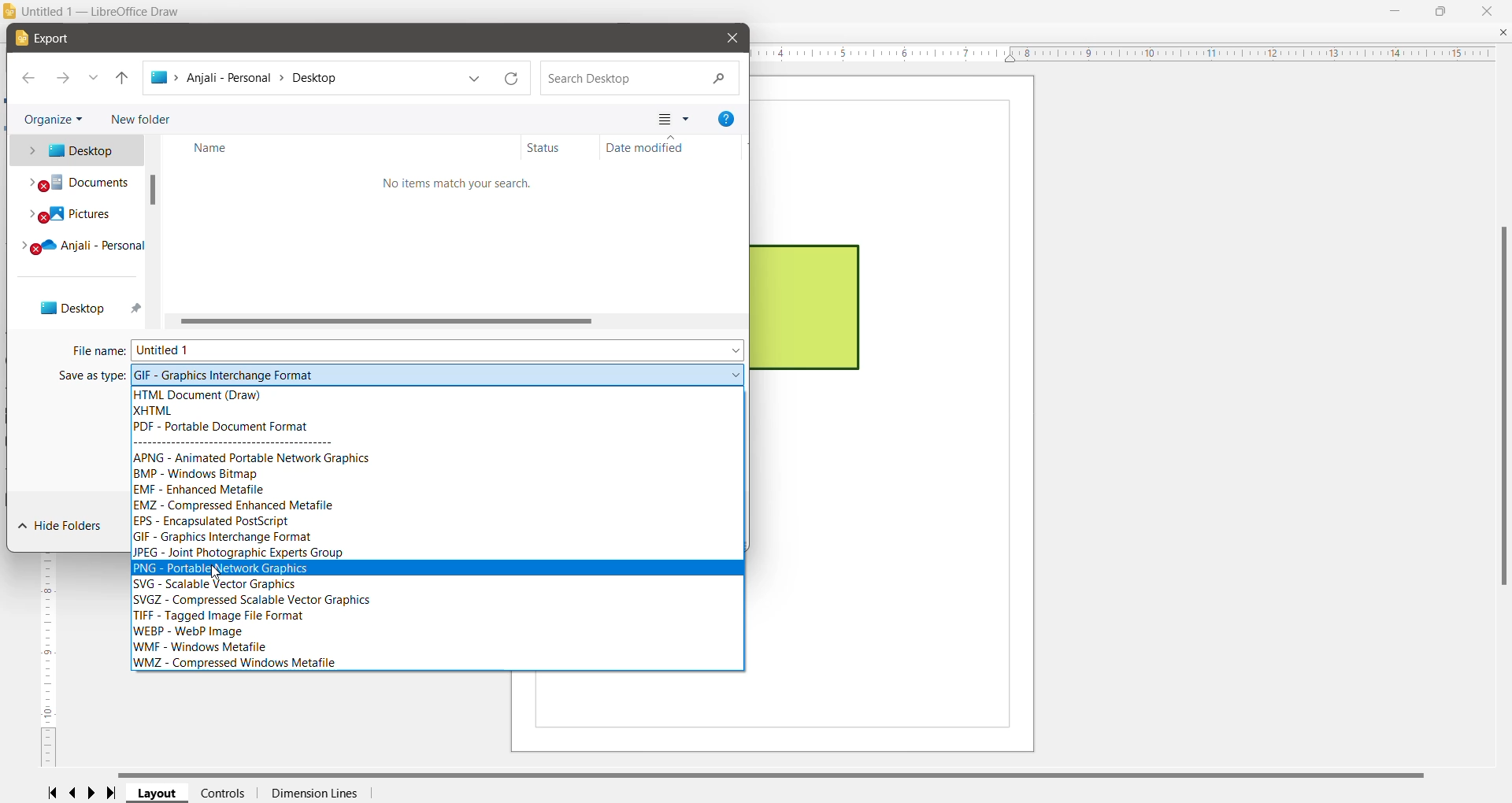  What do you see at coordinates (301, 81) in the screenshot?
I see `Current Location` at bounding box center [301, 81].